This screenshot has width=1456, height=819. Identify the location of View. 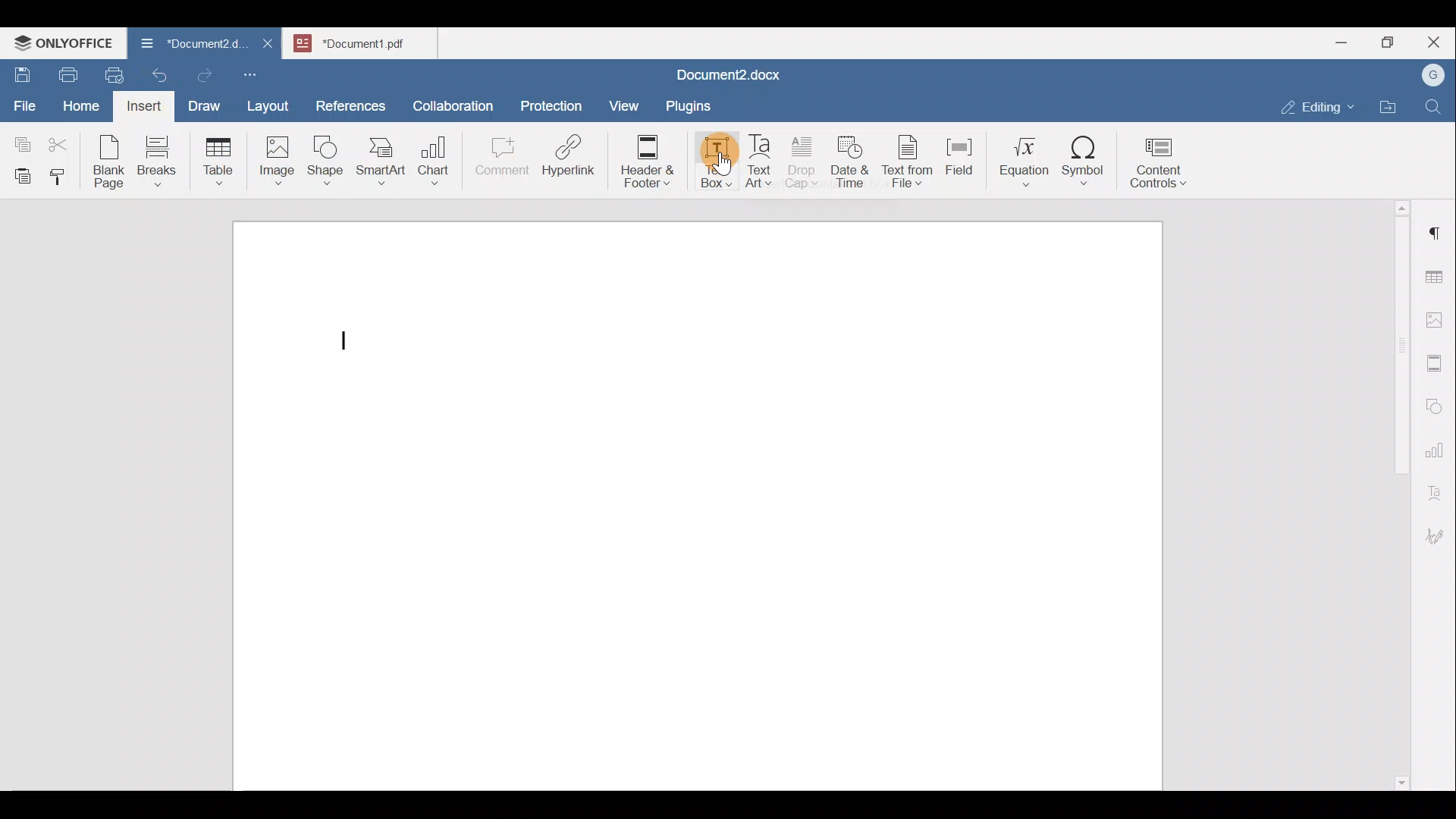
(625, 101).